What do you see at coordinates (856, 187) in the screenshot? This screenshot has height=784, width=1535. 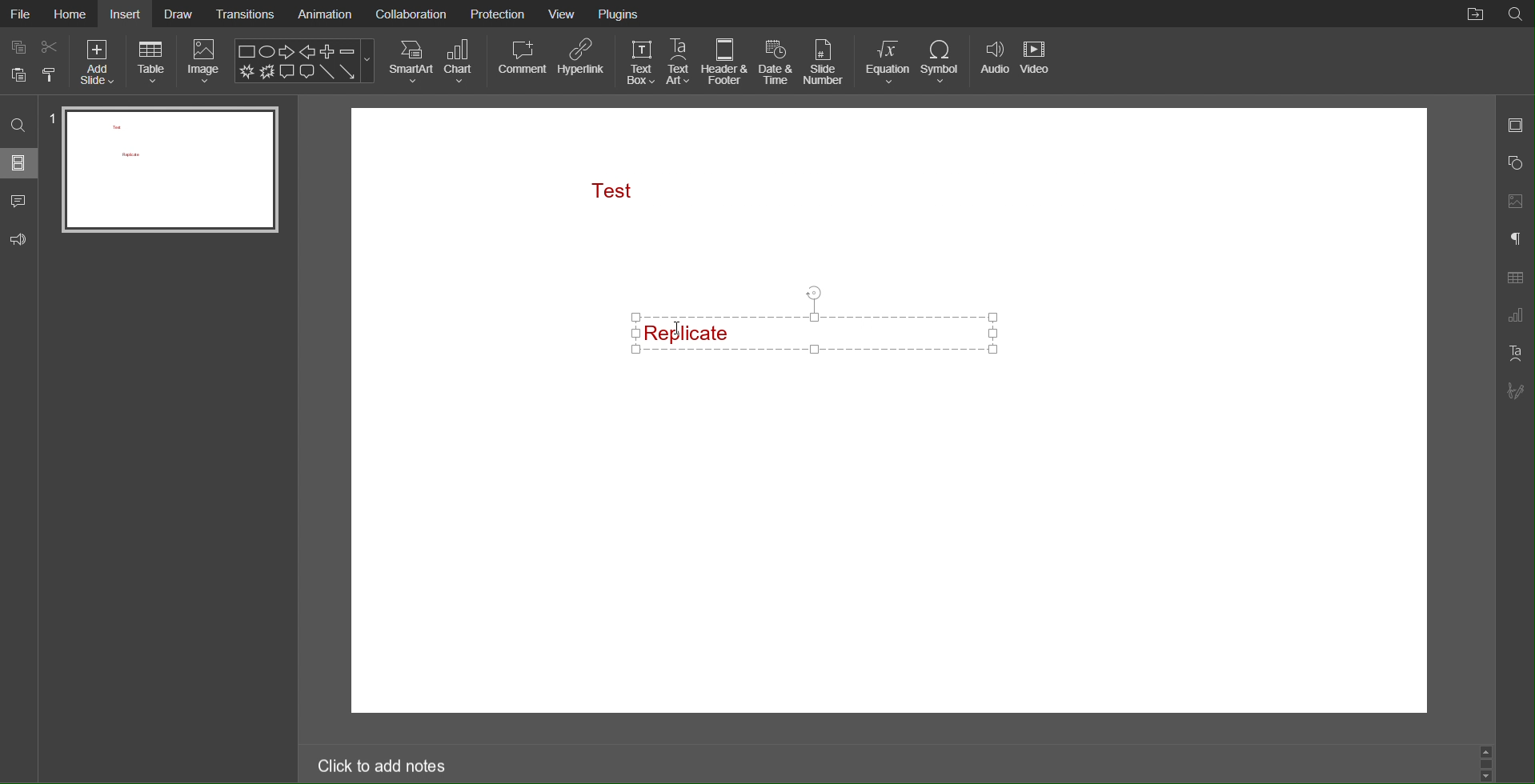 I see `Text Box` at bounding box center [856, 187].